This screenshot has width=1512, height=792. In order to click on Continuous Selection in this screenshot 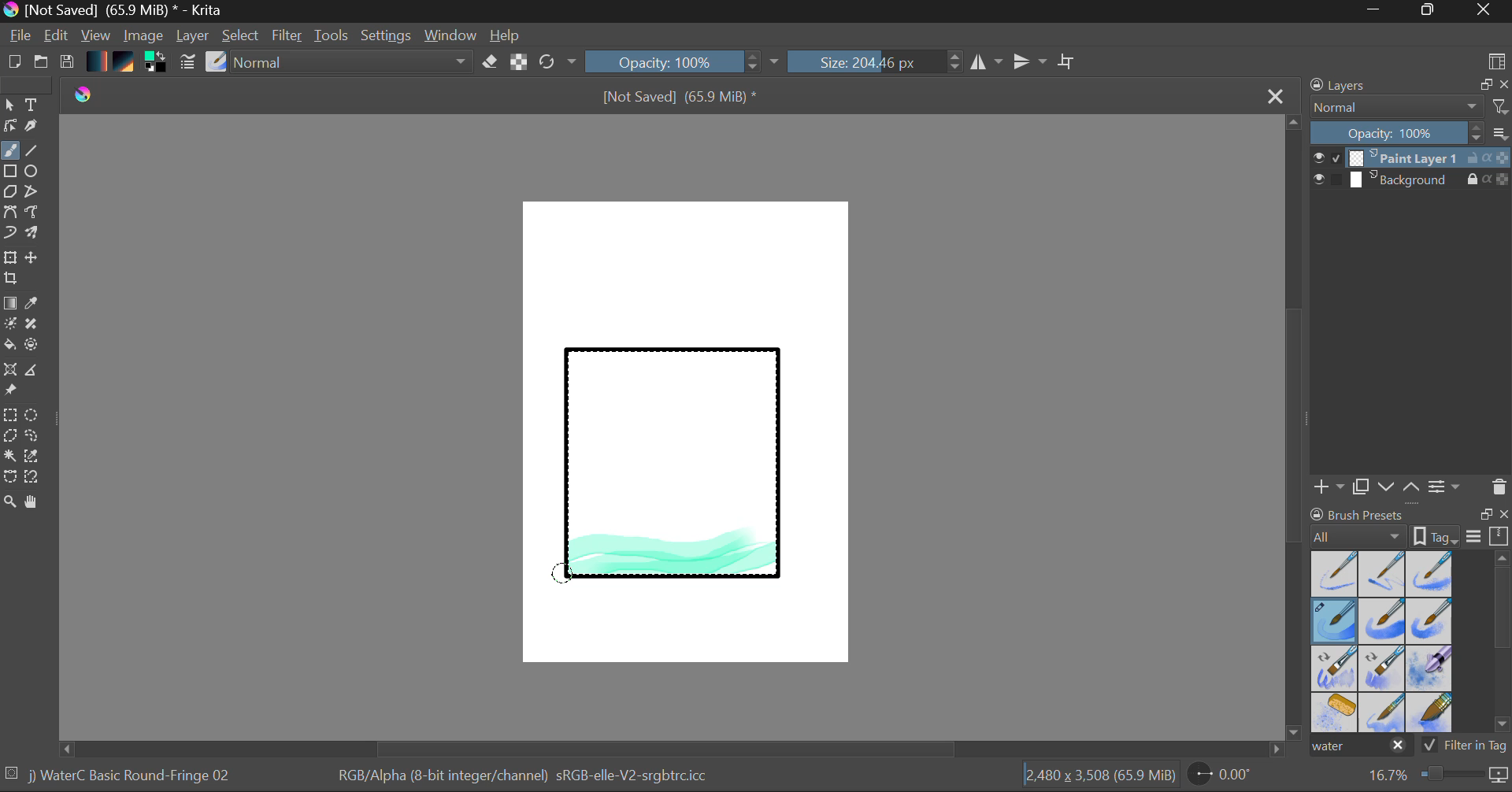, I will do `click(9, 455)`.